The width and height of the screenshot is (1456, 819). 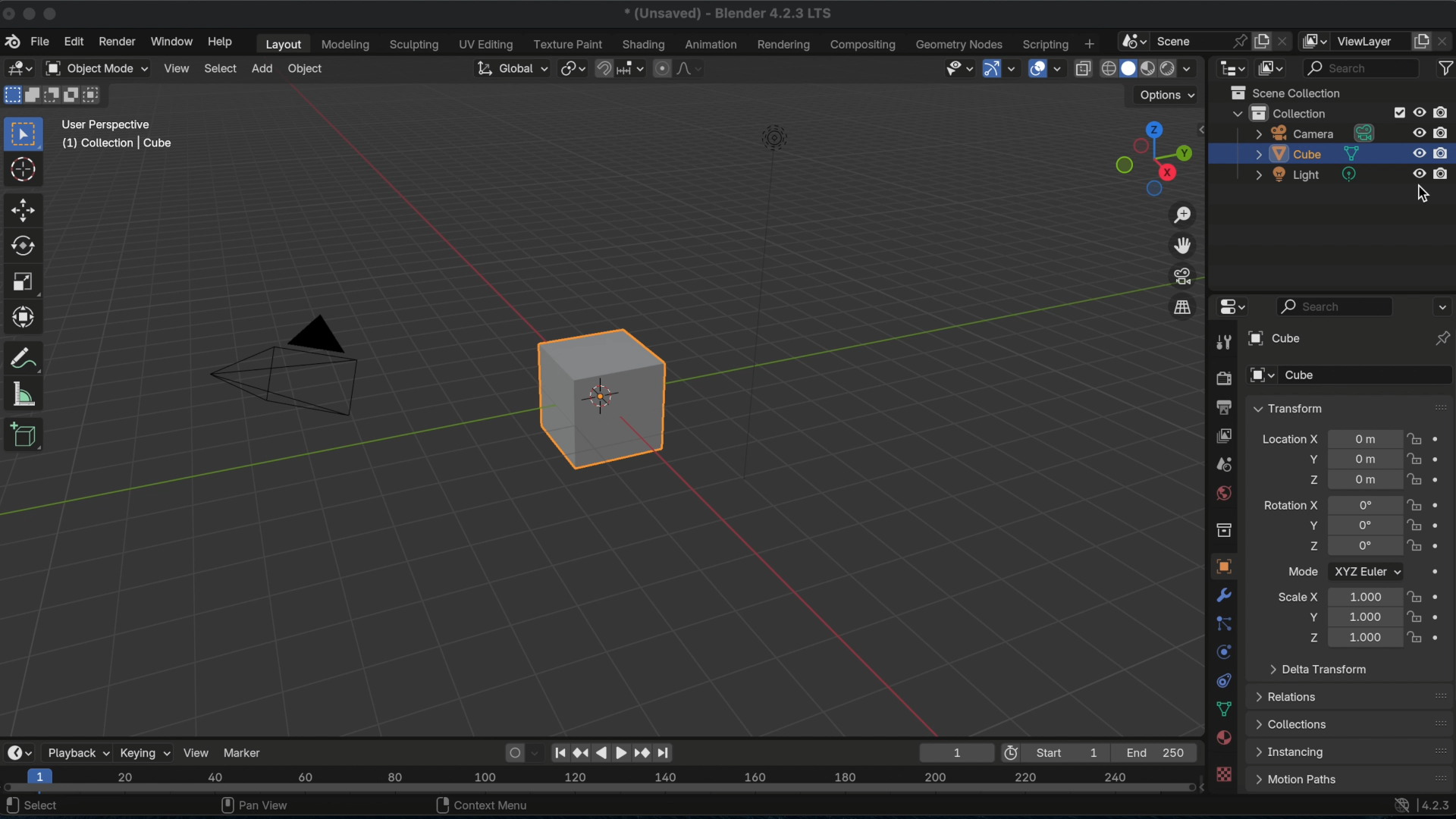 I want to click on viewport shading, so click(x=1127, y=67).